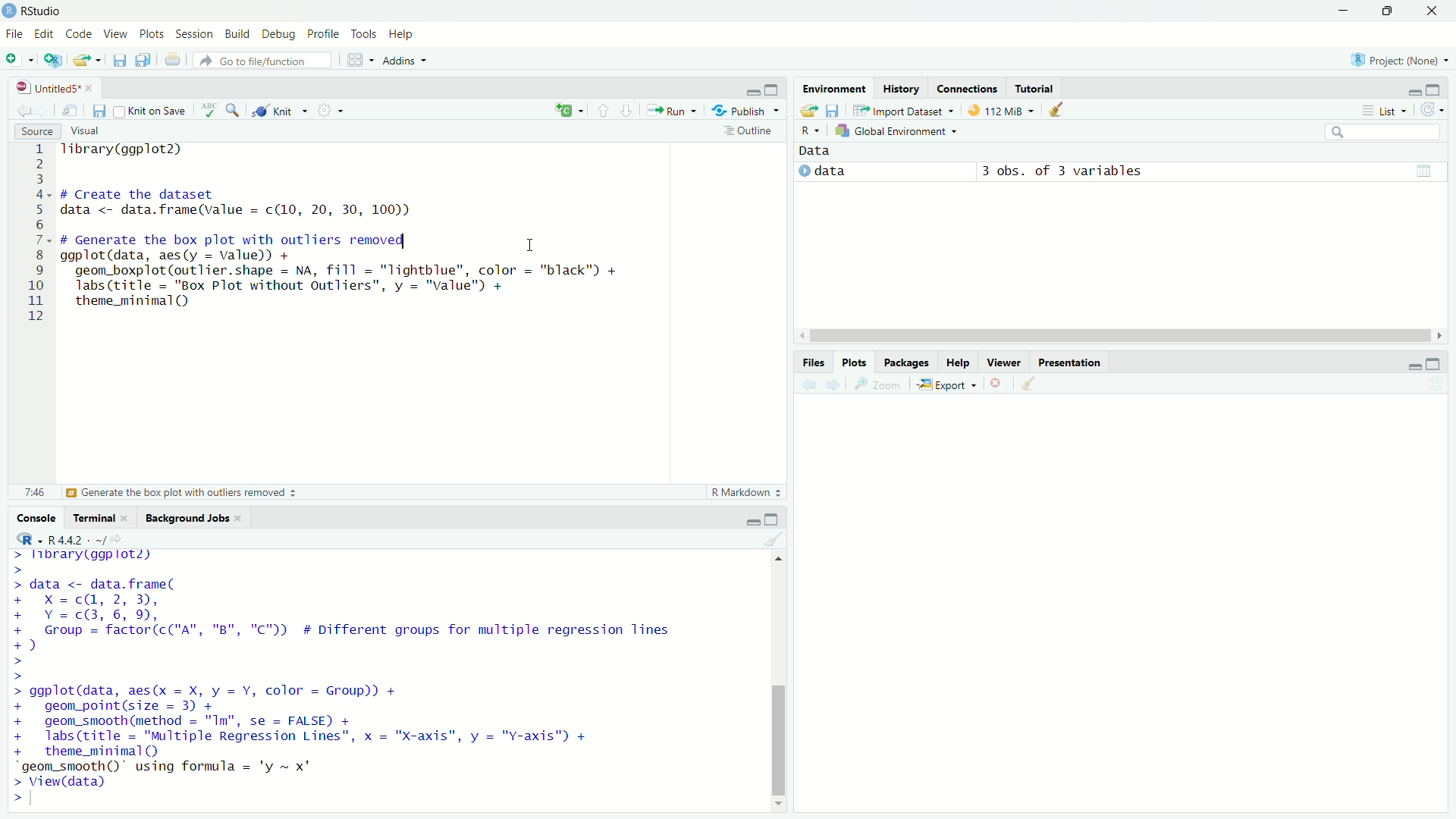 Image resolution: width=1456 pixels, height=819 pixels. Describe the element at coordinates (807, 388) in the screenshot. I see `back` at that location.